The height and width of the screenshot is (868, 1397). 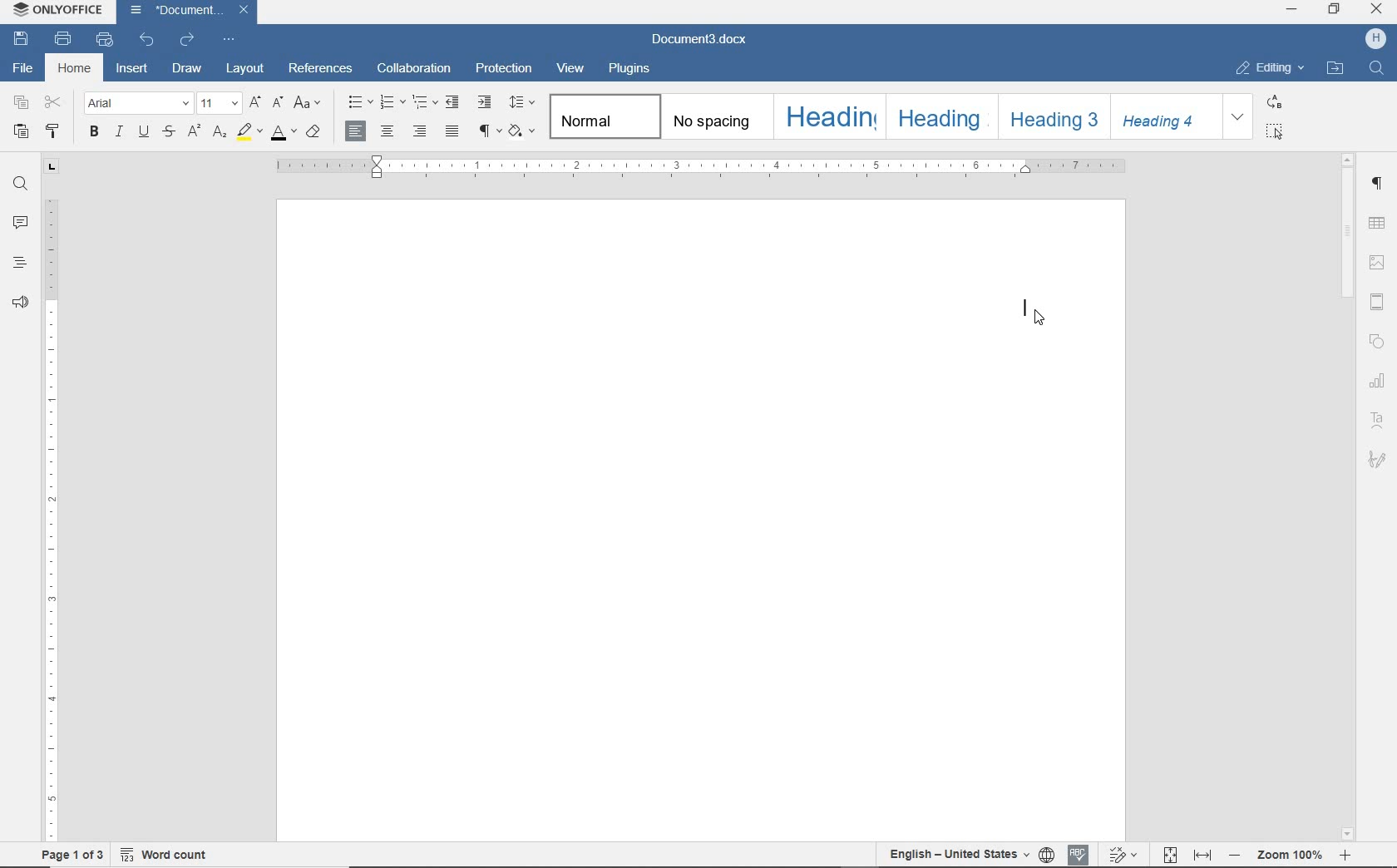 I want to click on TABLE, so click(x=1379, y=222).